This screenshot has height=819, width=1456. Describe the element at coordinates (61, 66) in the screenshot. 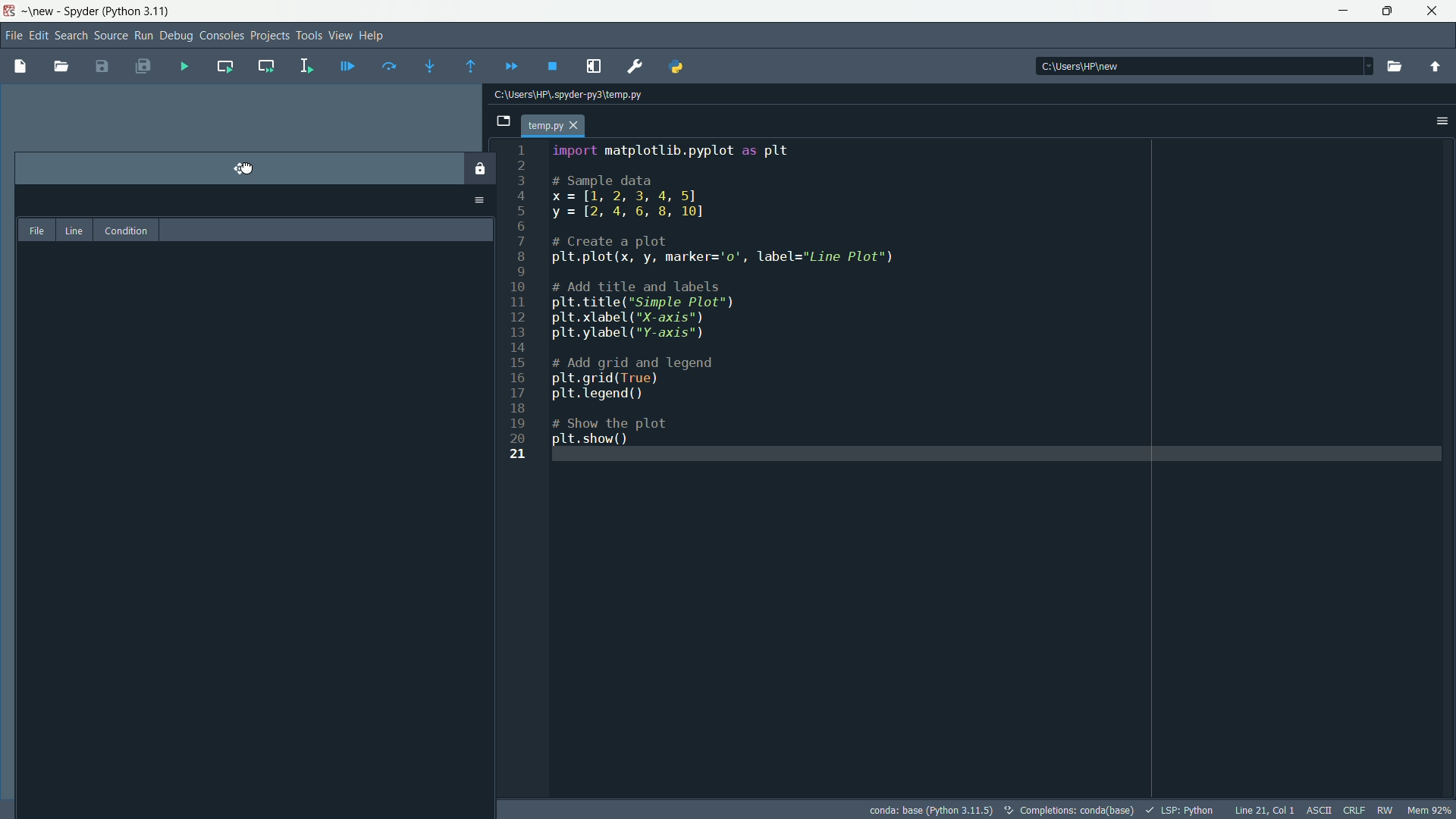

I see `open file` at that location.